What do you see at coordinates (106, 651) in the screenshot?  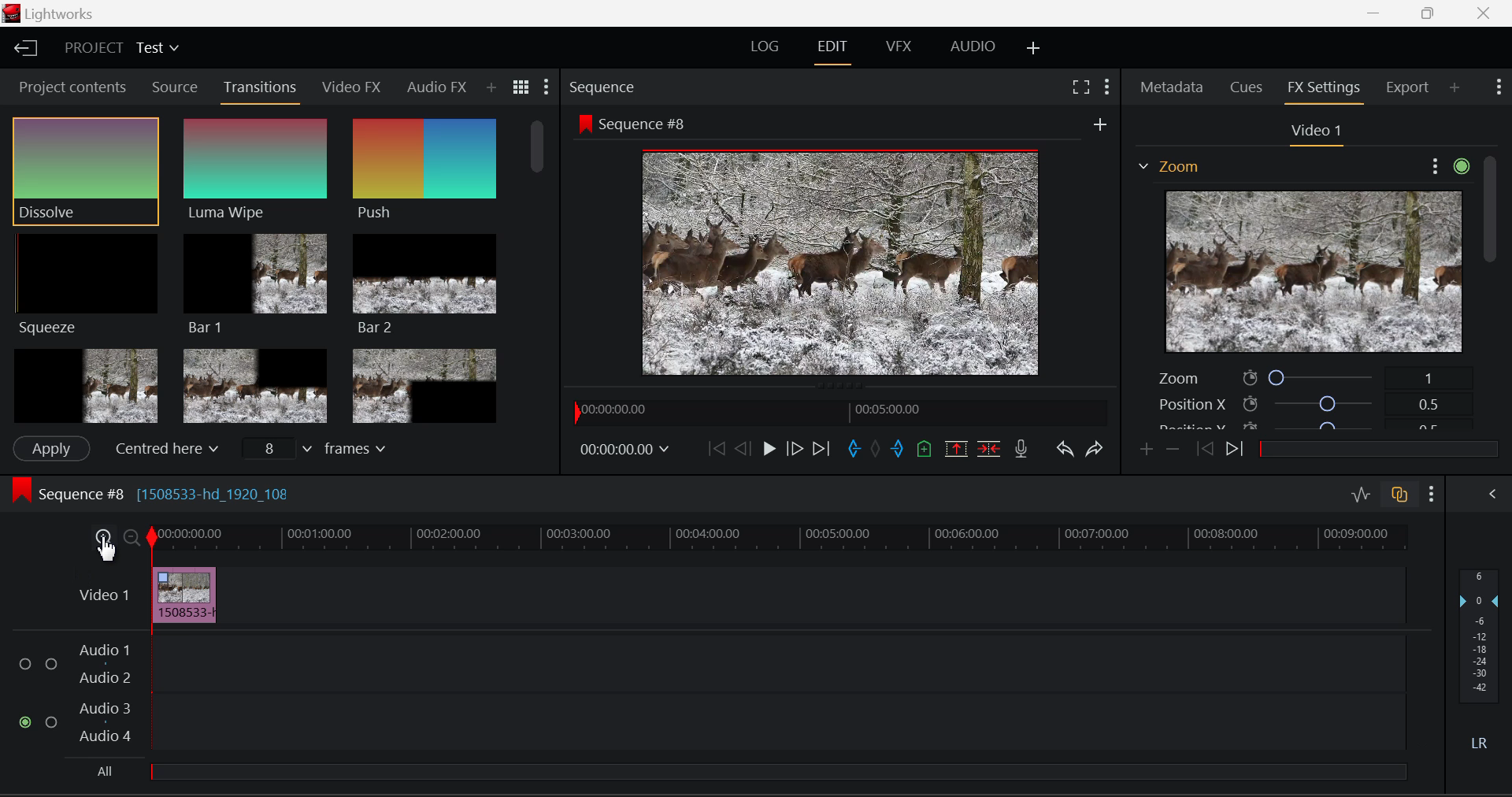 I see `Audio 1` at bounding box center [106, 651].